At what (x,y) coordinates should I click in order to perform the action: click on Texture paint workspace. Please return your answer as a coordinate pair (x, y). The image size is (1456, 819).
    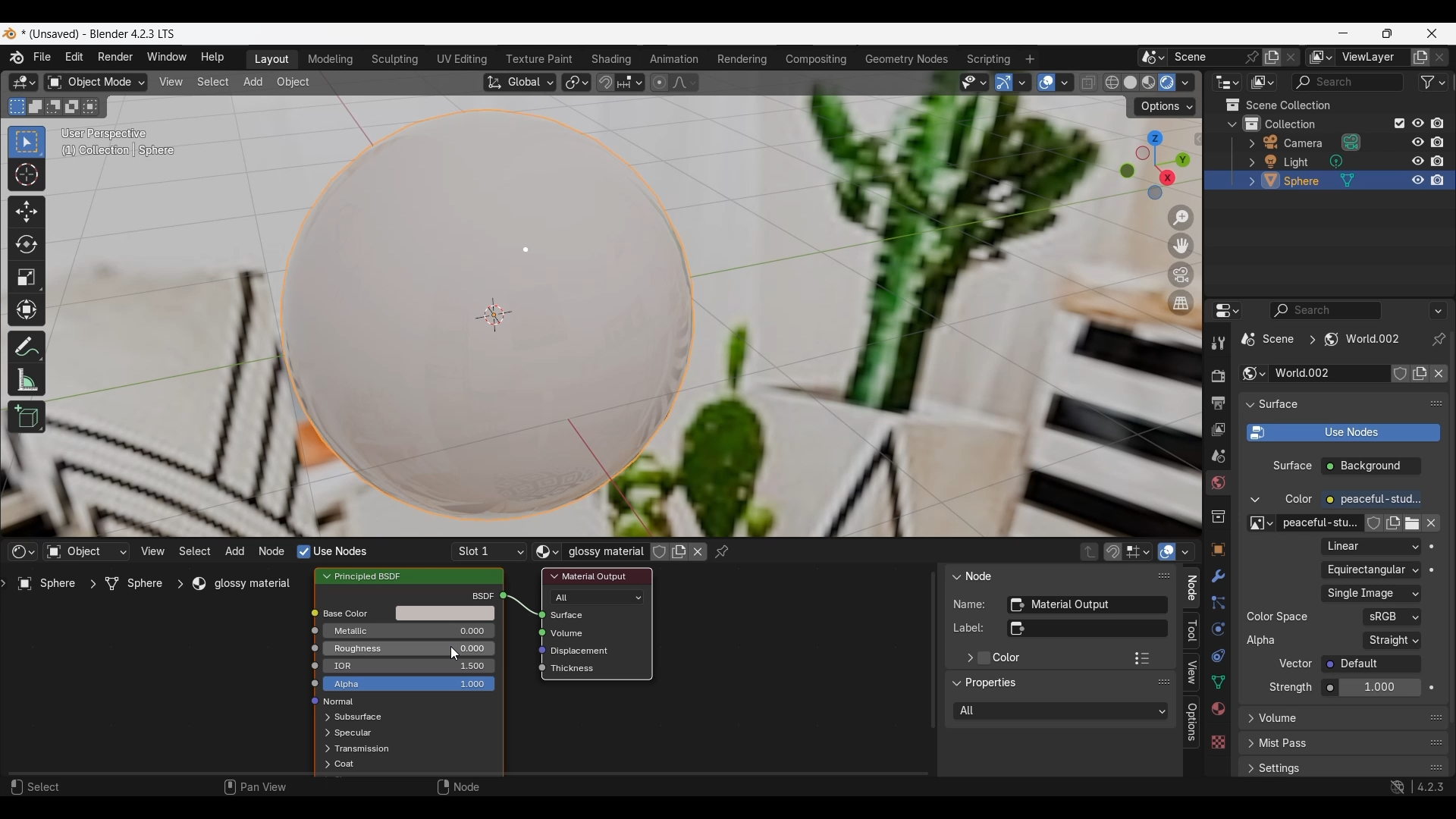
    Looking at the image, I should click on (540, 60).